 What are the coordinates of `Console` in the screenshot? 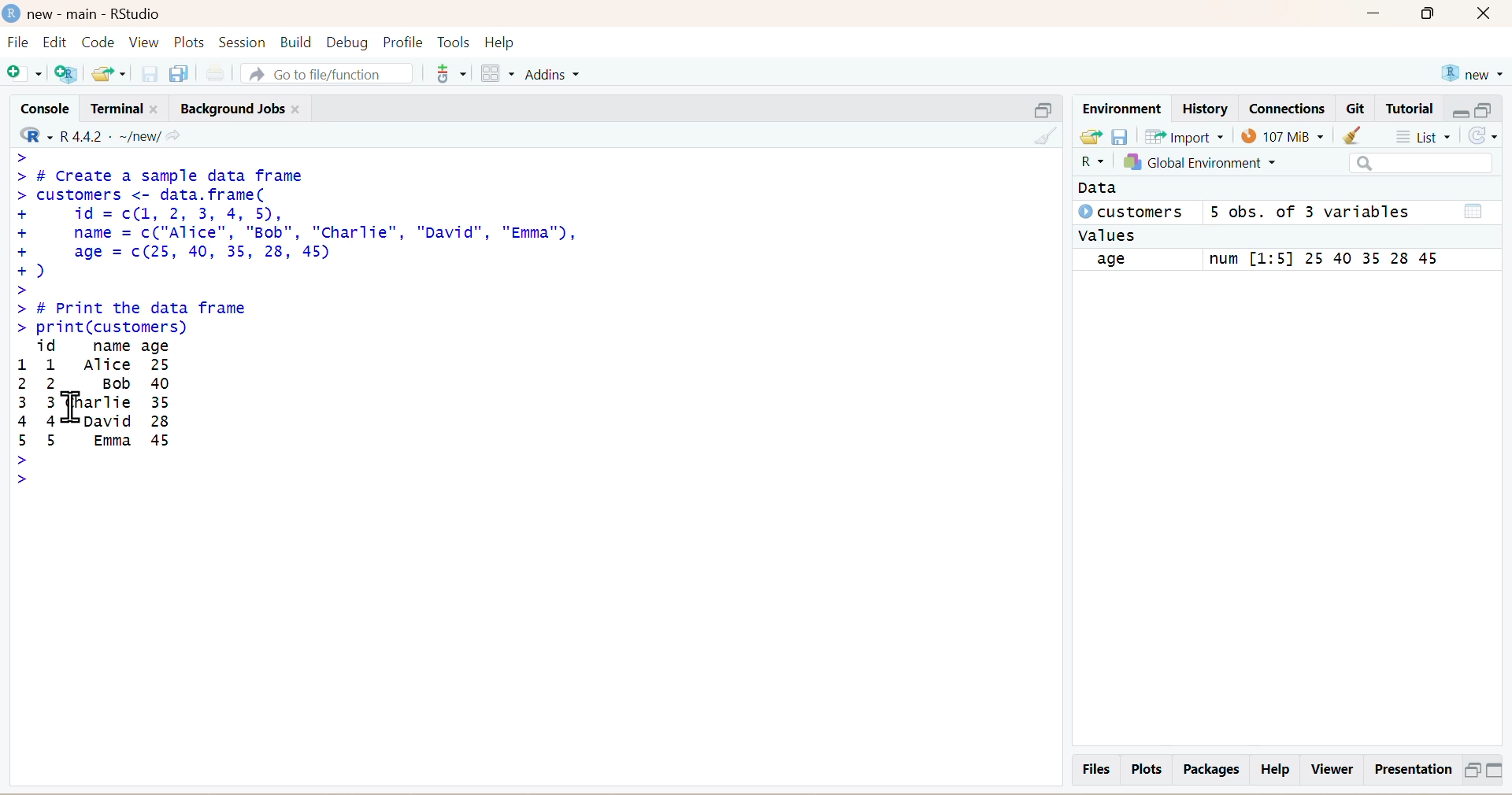 It's located at (41, 106).